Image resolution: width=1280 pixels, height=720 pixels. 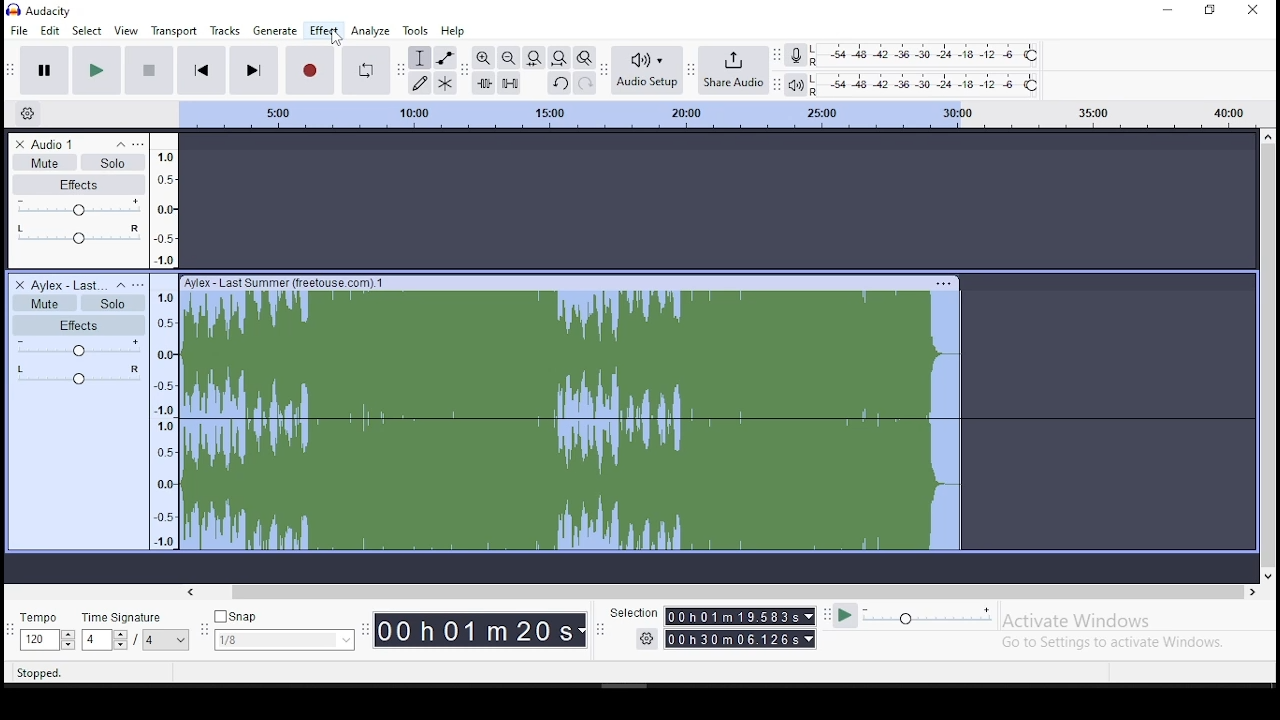 I want to click on close window, so click(x=1254, y=12).